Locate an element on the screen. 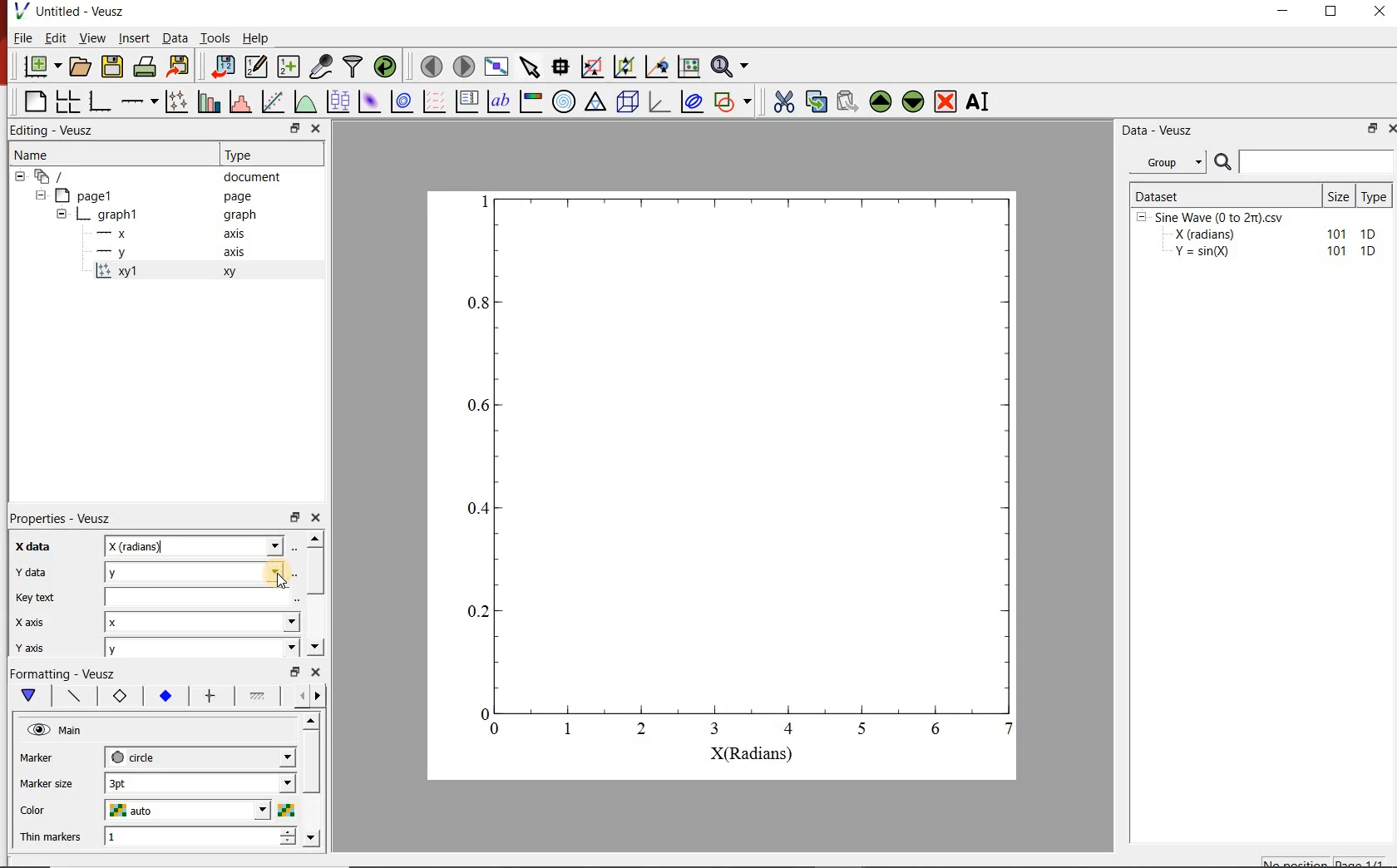  Auto is located at coordinates (199, 596).